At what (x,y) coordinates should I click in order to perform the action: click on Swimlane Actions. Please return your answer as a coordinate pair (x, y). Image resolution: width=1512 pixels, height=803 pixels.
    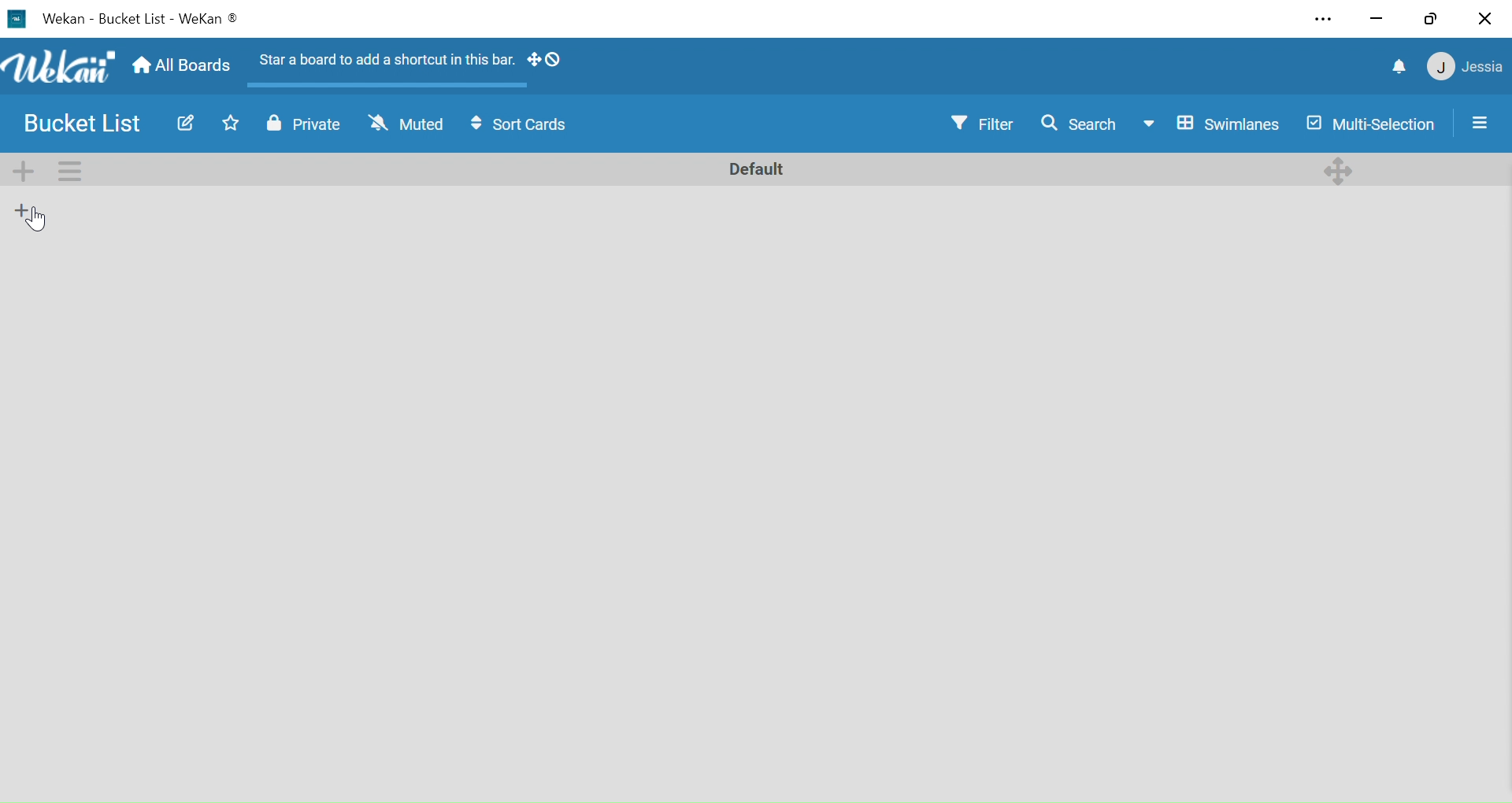
    Looking at the image, I should click on (69, 170).